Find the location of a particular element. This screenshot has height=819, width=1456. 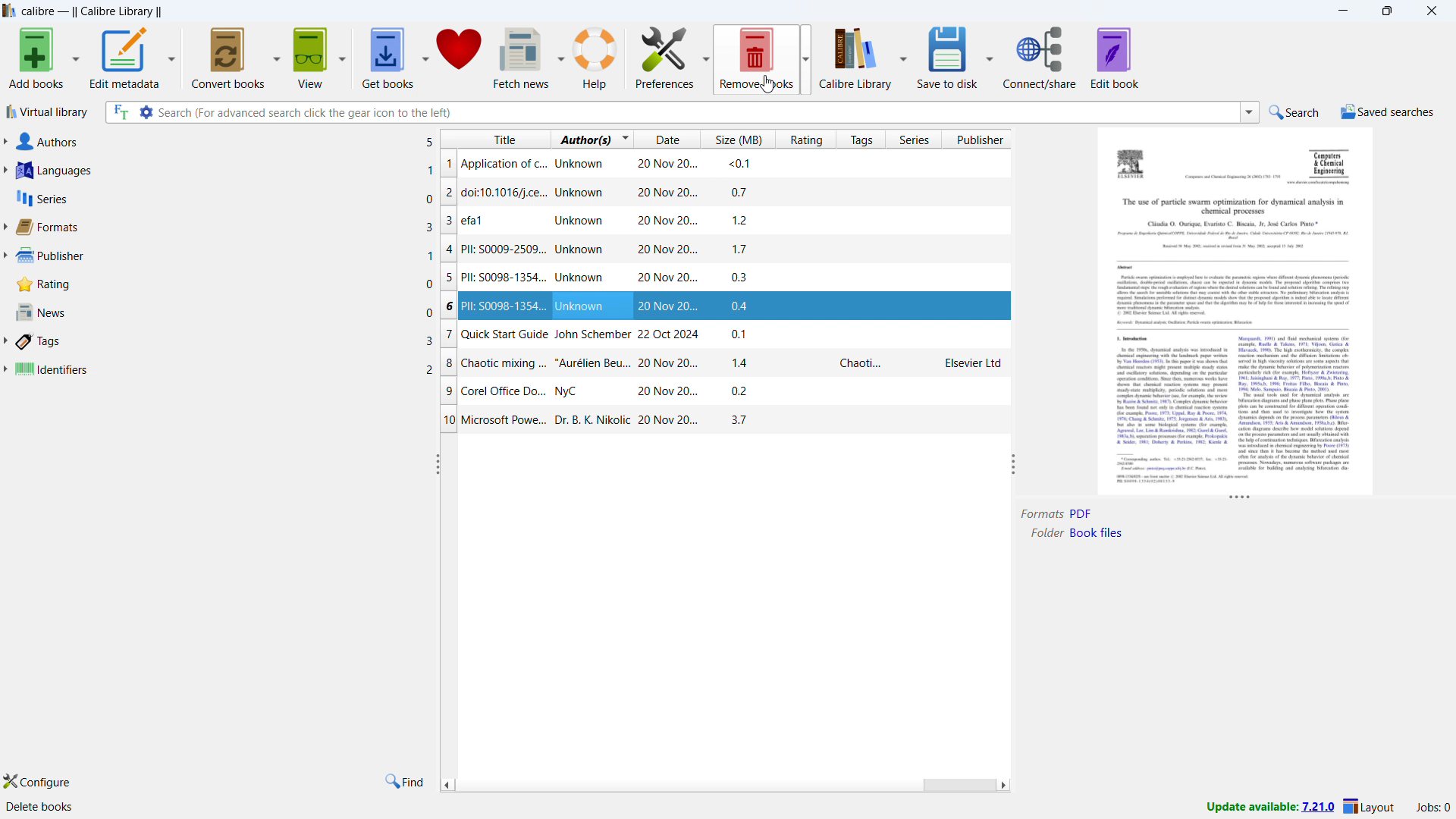

preferences is located at coordinates (664, 56).